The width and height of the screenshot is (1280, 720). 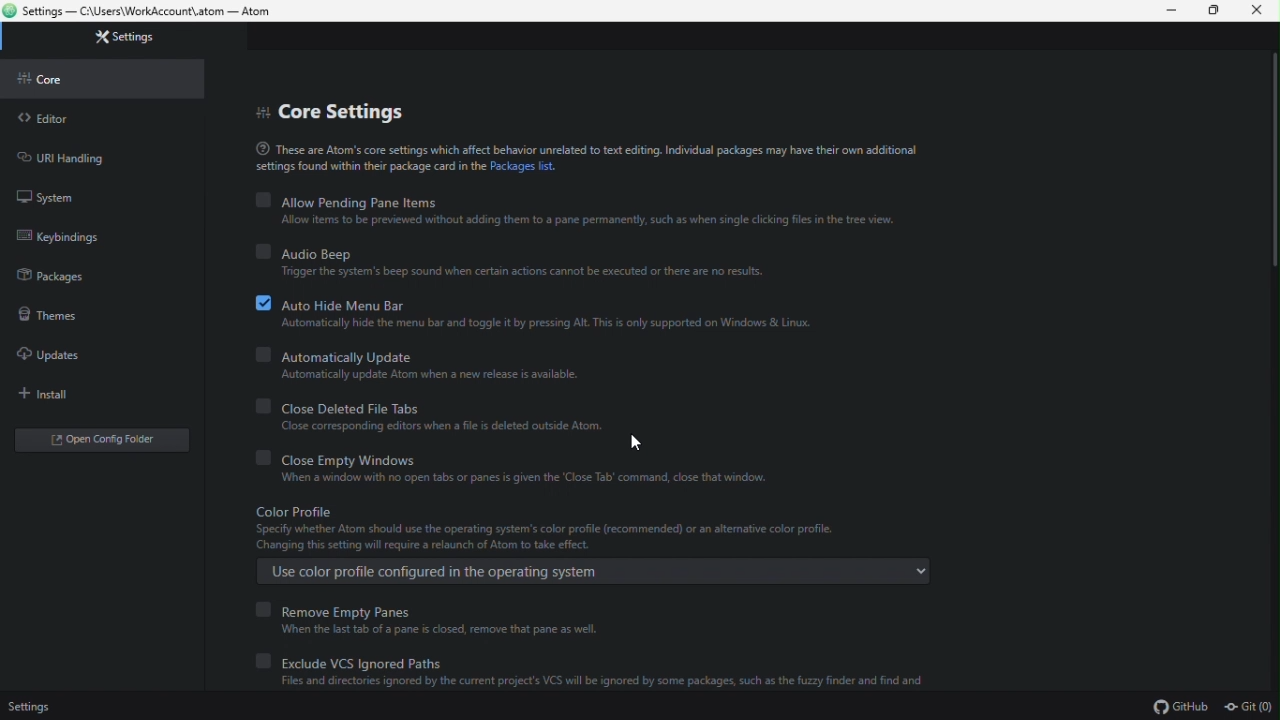 I want to click on Allow items to be previewed without adding them to a pane permanently, such as when single clicking files in the tree view., so click(x=577, y=220).